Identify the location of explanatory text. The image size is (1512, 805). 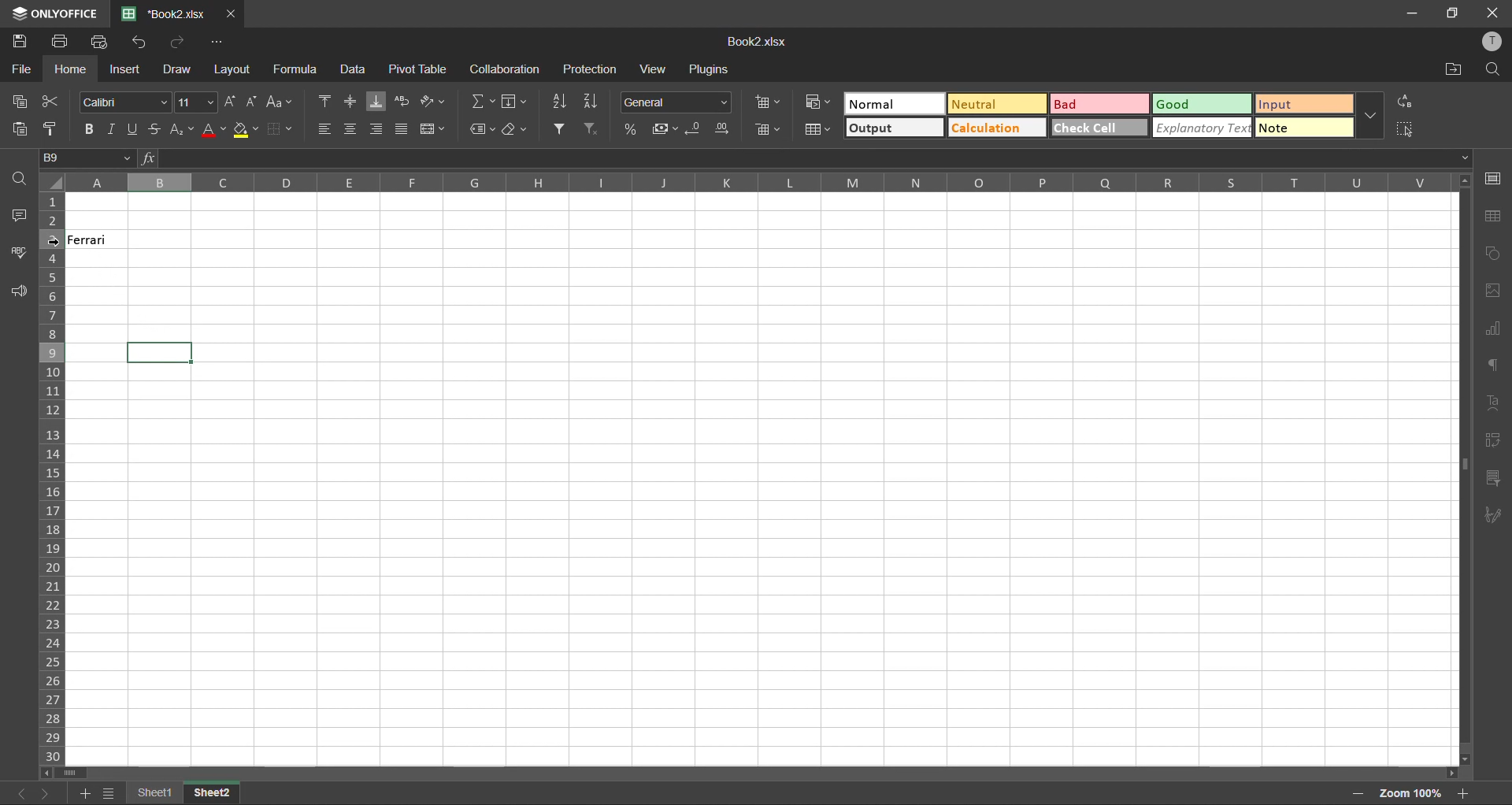
(1200, 129).